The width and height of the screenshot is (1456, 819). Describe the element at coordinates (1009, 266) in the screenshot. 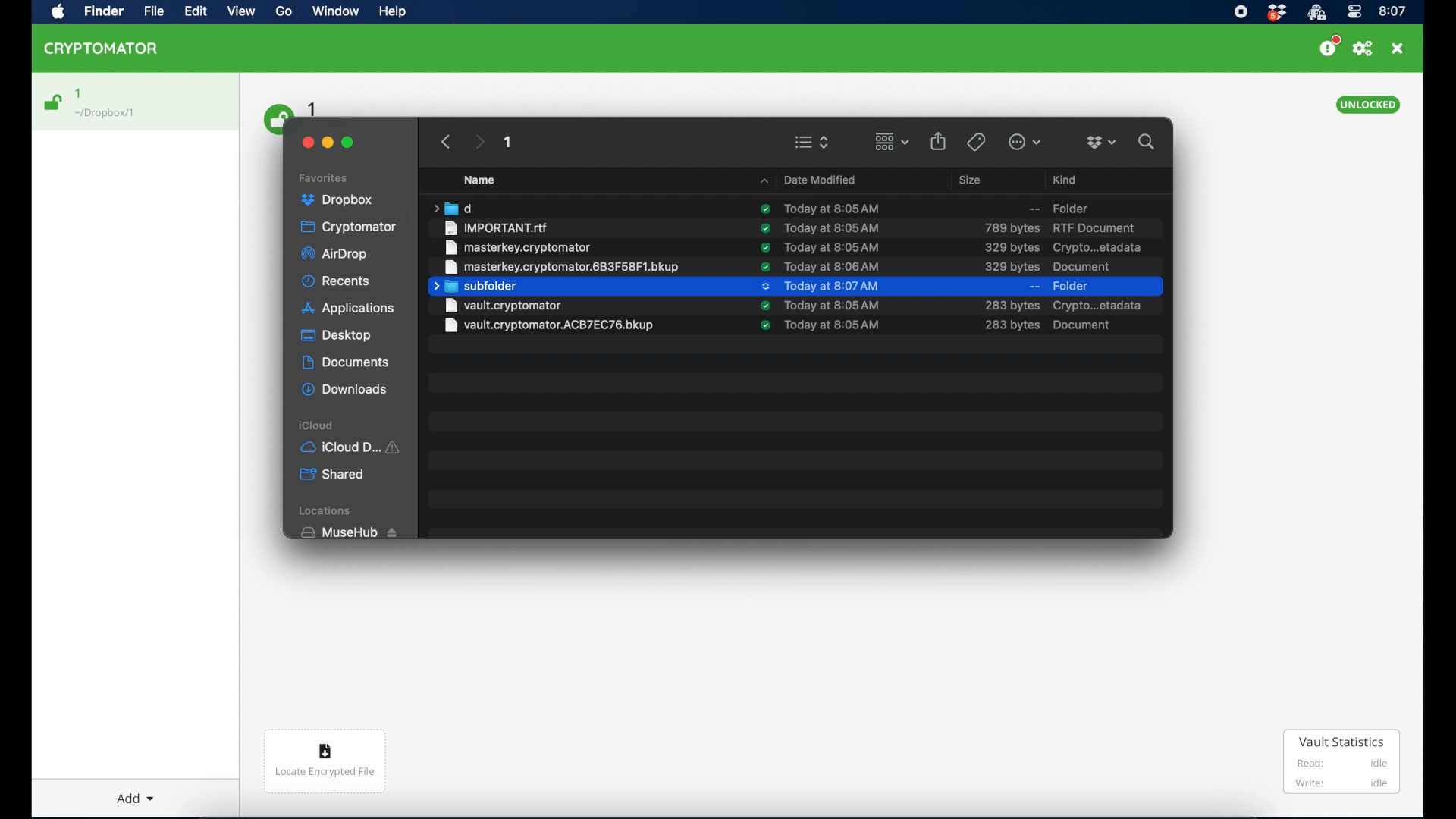

I see `size` at that location.